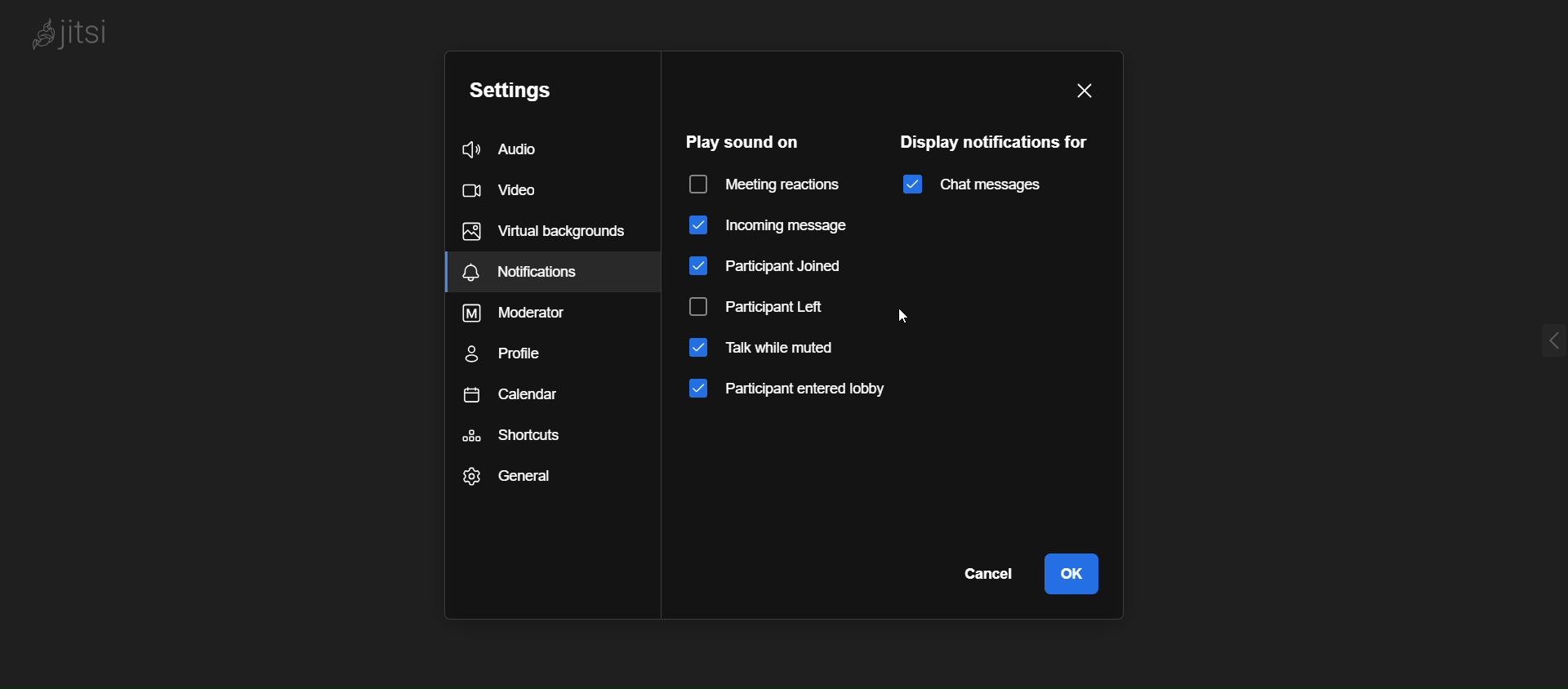  What do you see at coordinates (548, 232) in the screenshot?
I see `virtual background` at bounding box center [548, 232].